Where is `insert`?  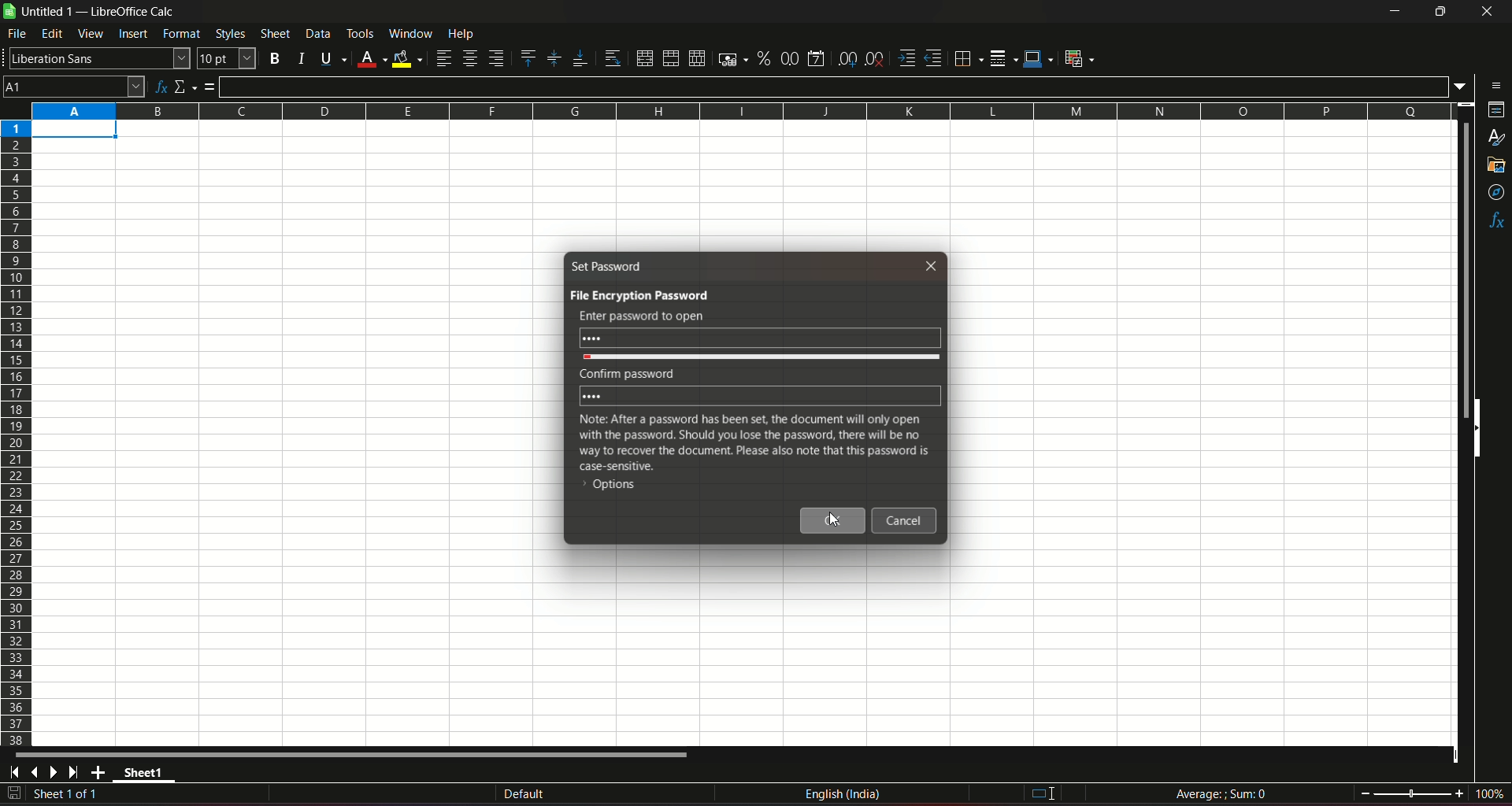
insert is located at coordinates (133, 35).